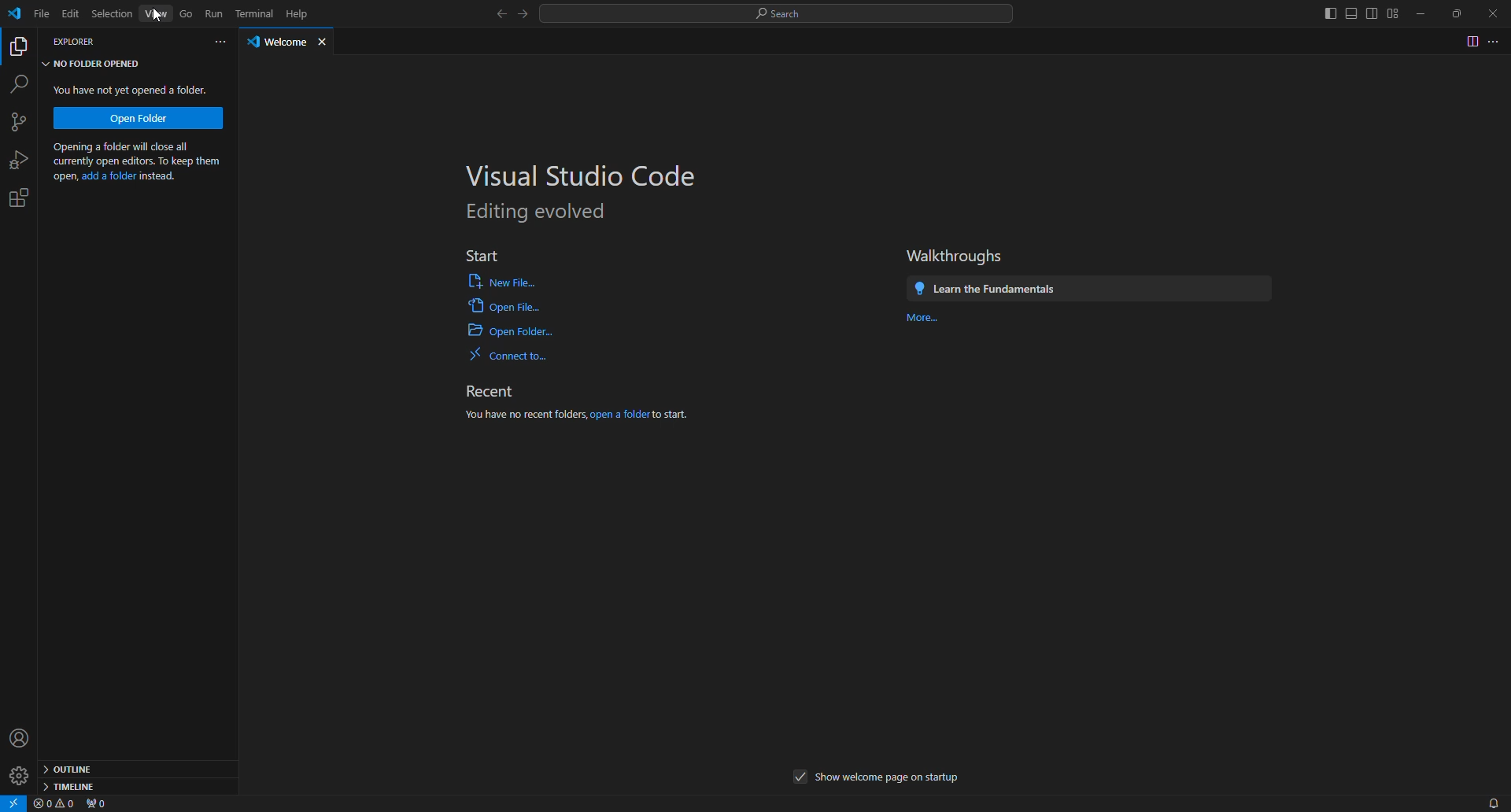 This screenshot has height=812, width=1511. Describe the element at coordinates (1087, 289) in the screenshot. I see `Learn the Fundamentals` at that location.